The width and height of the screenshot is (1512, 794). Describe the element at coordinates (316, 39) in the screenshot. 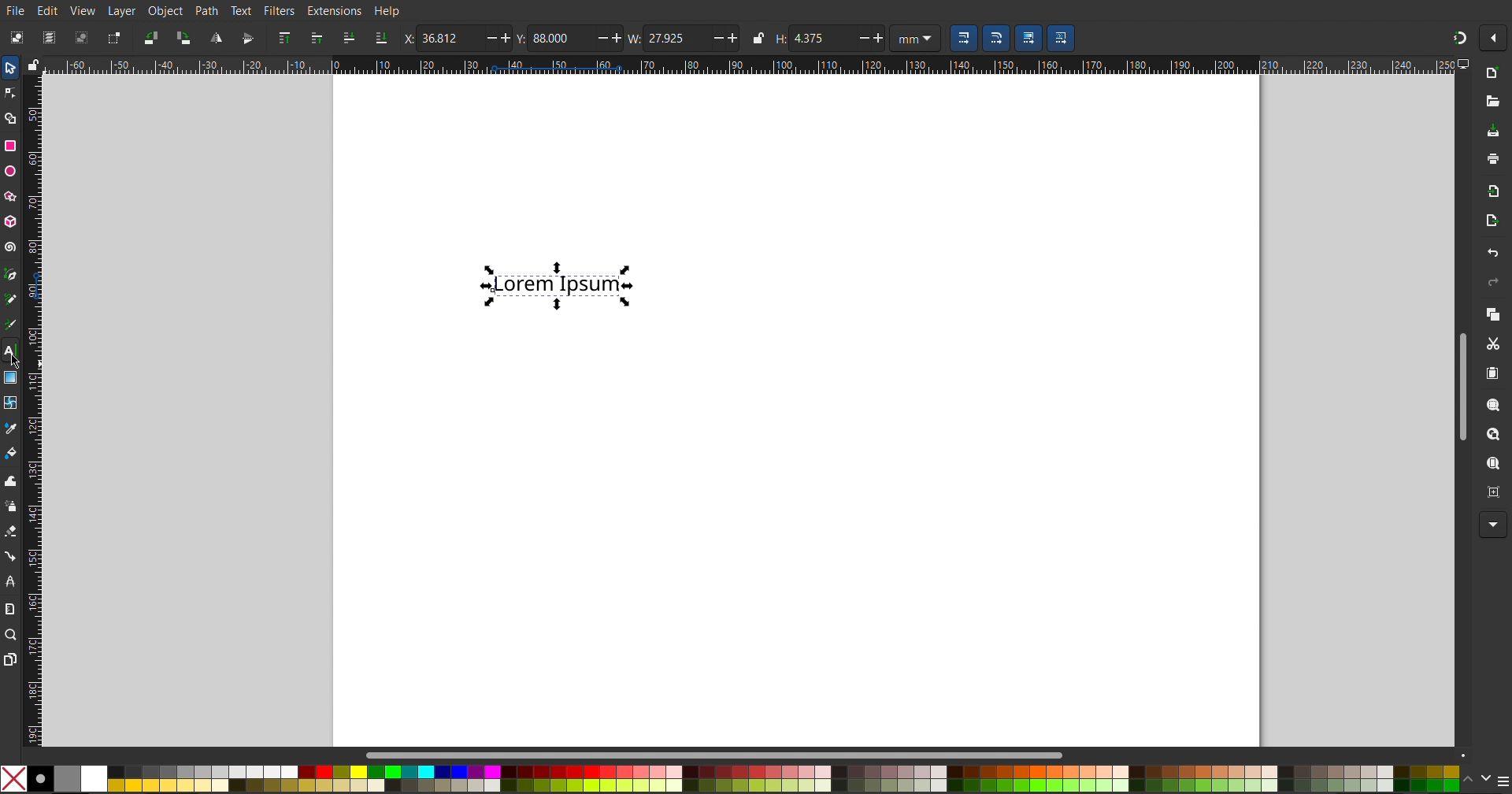

I see `Raise selection one step` at that location.